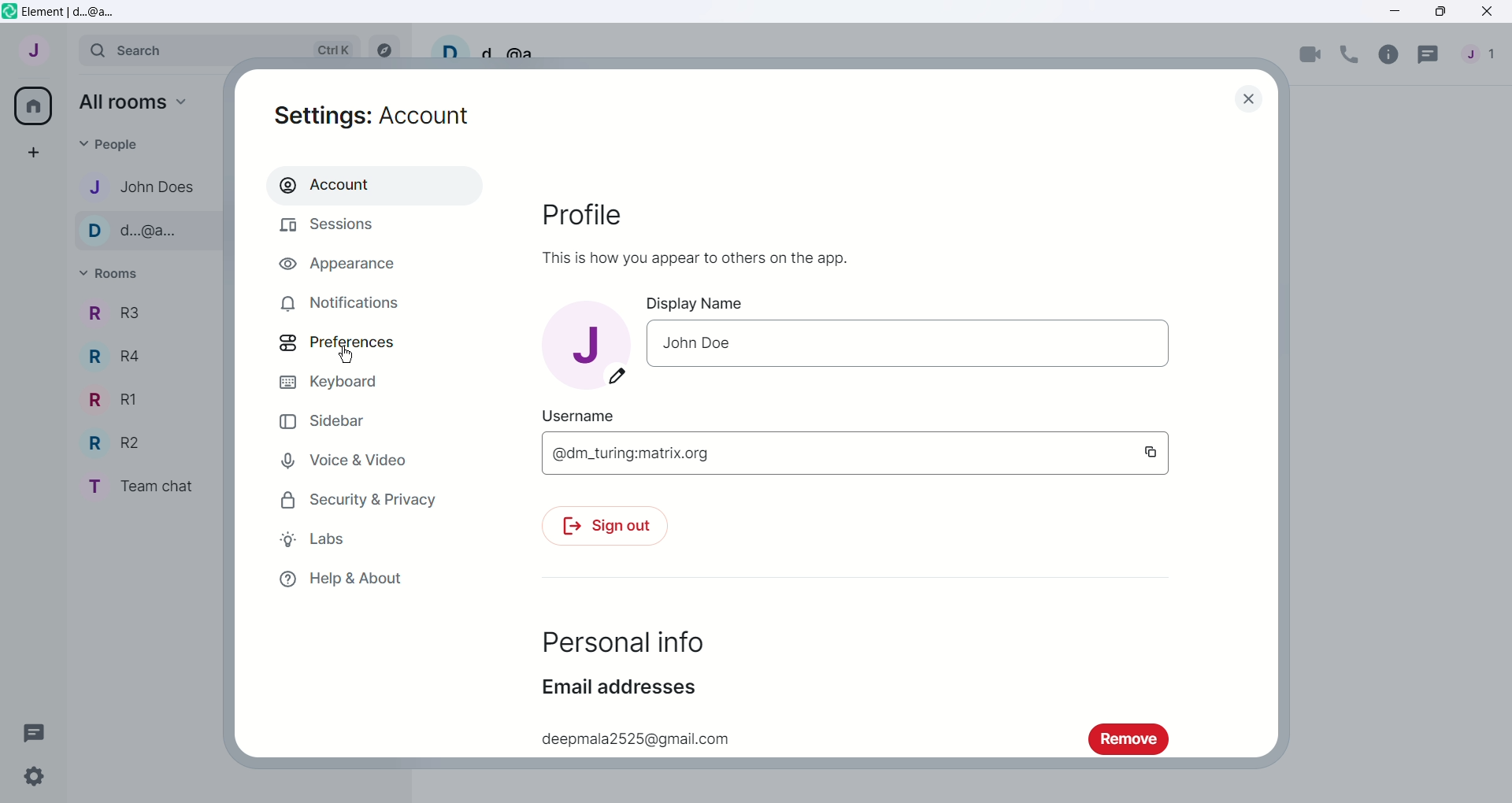  Describe the element at coordinates (1484, 56) in the screenshot. I see `People` at that location.